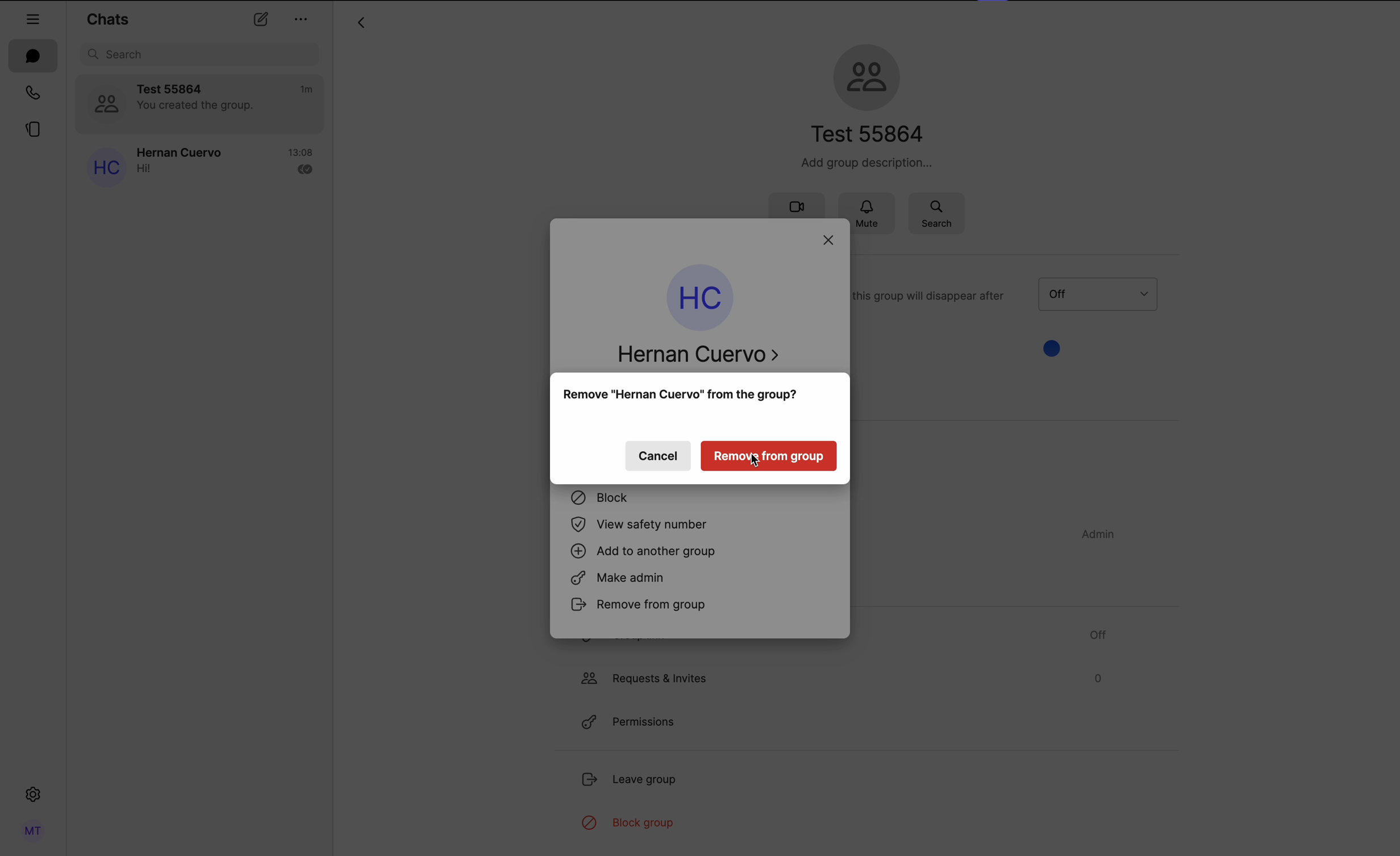 This screenshot has height=856, width=1400. Describe the element at coordinates (681, 397) in the screenshot. I see `remove "Hernan Cuervo" from the group?` at that location.